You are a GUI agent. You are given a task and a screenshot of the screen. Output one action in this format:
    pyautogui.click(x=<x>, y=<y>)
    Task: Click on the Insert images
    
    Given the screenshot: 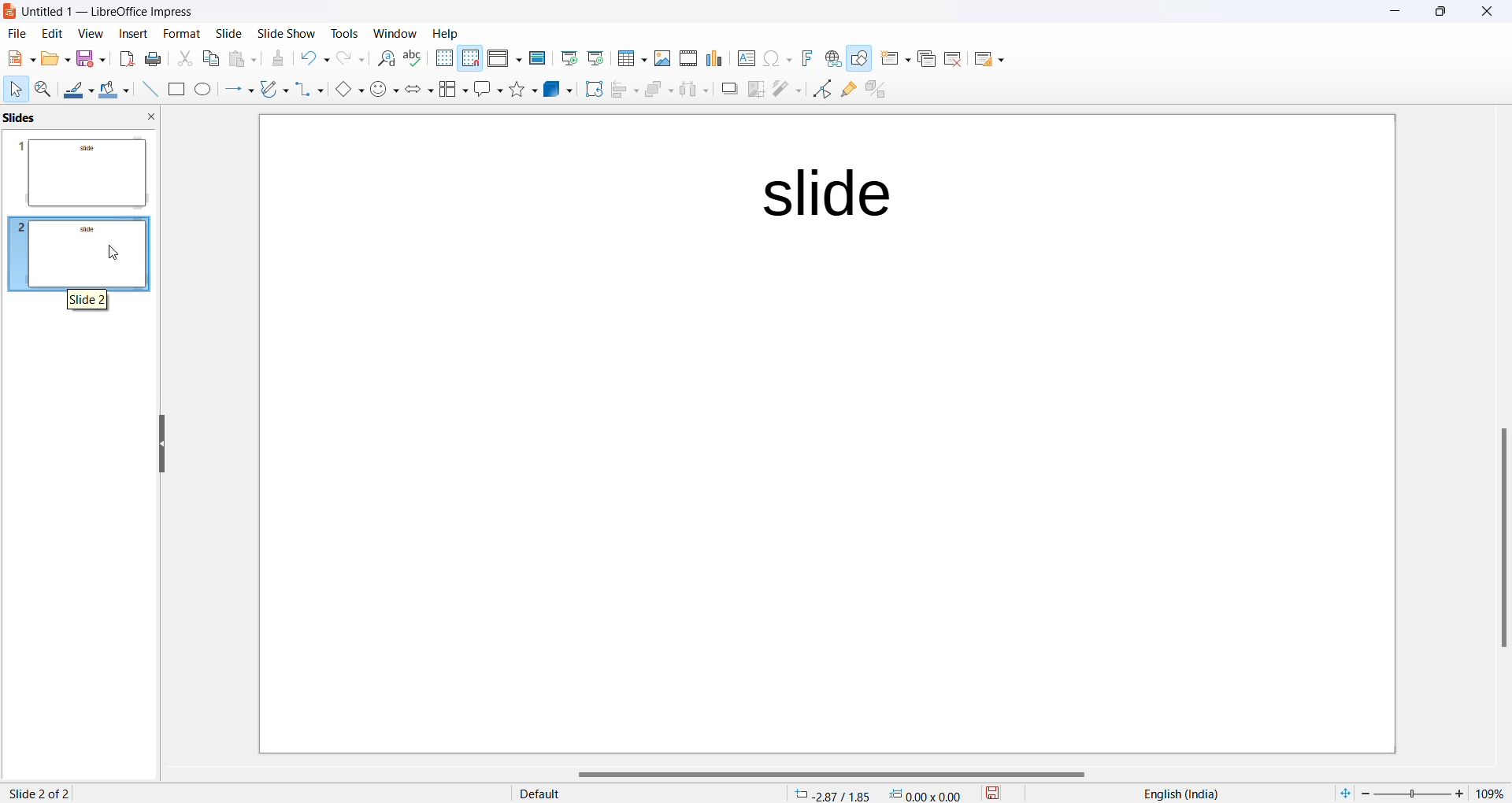 What is the action you would take?
    pyautogui.click(x=660, y=57)
    